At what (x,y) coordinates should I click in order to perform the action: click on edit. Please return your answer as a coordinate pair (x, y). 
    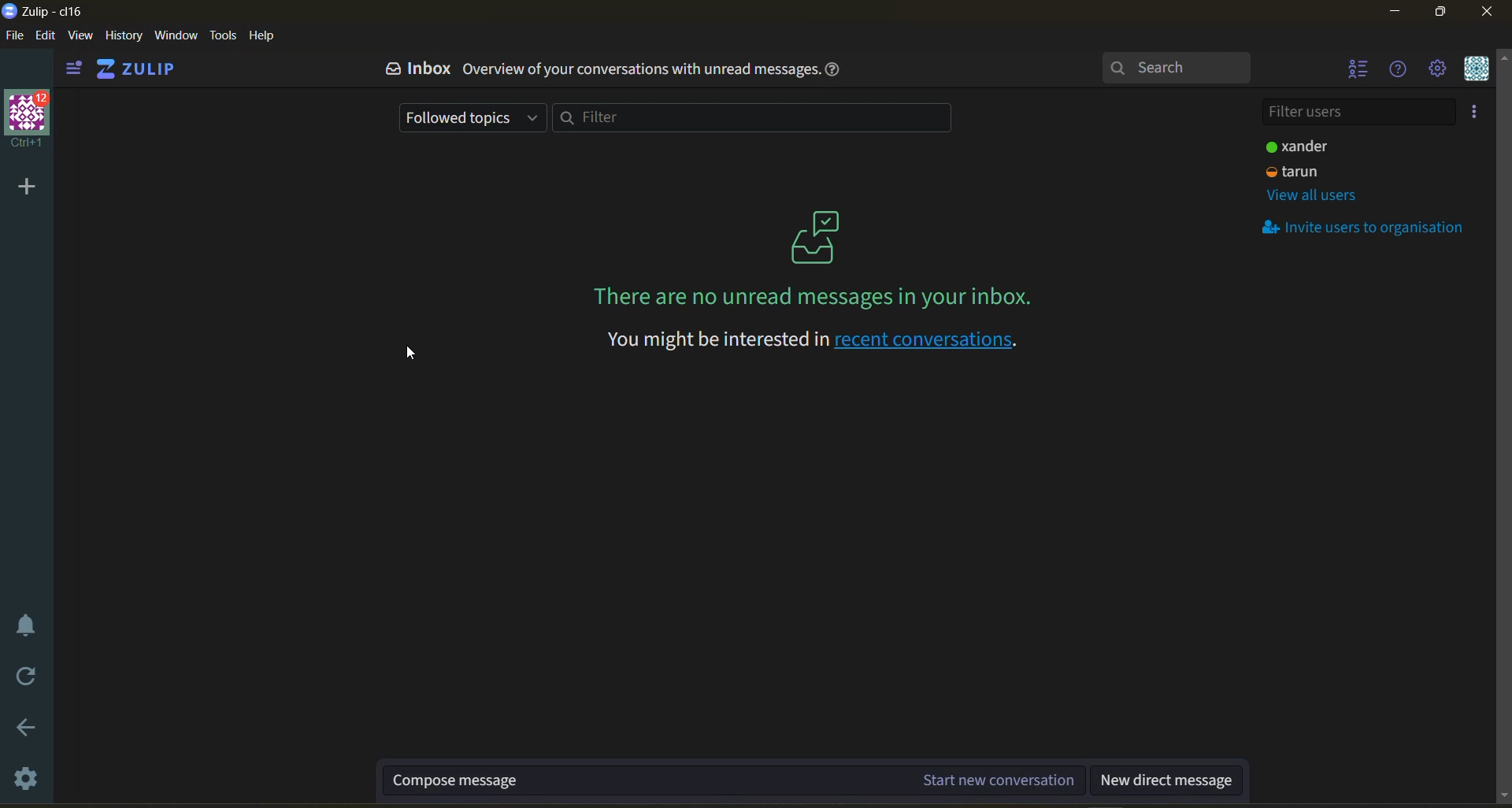
    Looking at the image, I should click on (45, 37).